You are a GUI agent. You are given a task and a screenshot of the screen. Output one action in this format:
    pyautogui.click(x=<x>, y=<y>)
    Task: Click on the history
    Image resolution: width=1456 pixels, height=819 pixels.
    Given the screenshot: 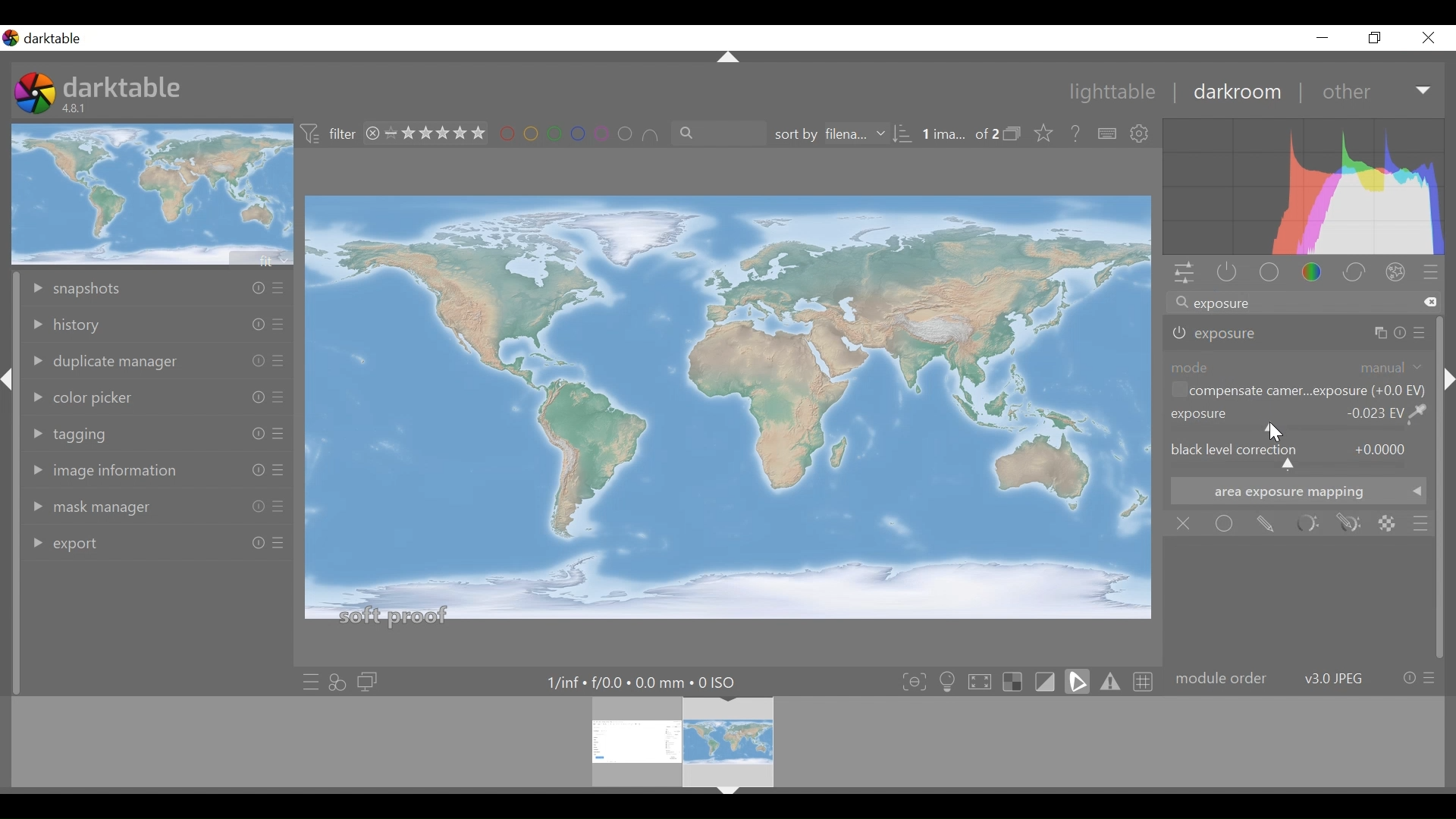 What is the action you would take?
    pyautogui.click(x=104, y=323)
    